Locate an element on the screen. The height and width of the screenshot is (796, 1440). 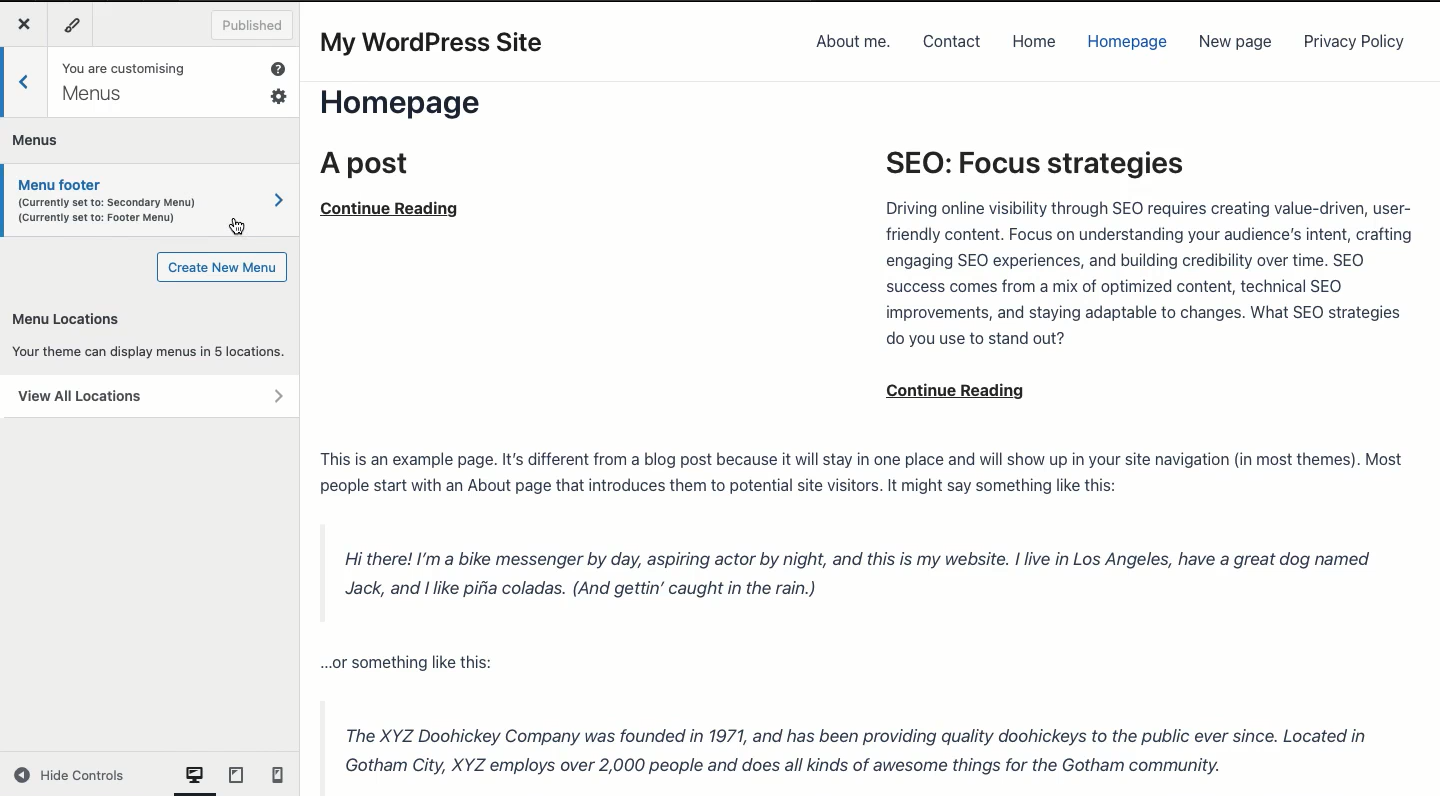
Published is located at coordinates (254, 26).